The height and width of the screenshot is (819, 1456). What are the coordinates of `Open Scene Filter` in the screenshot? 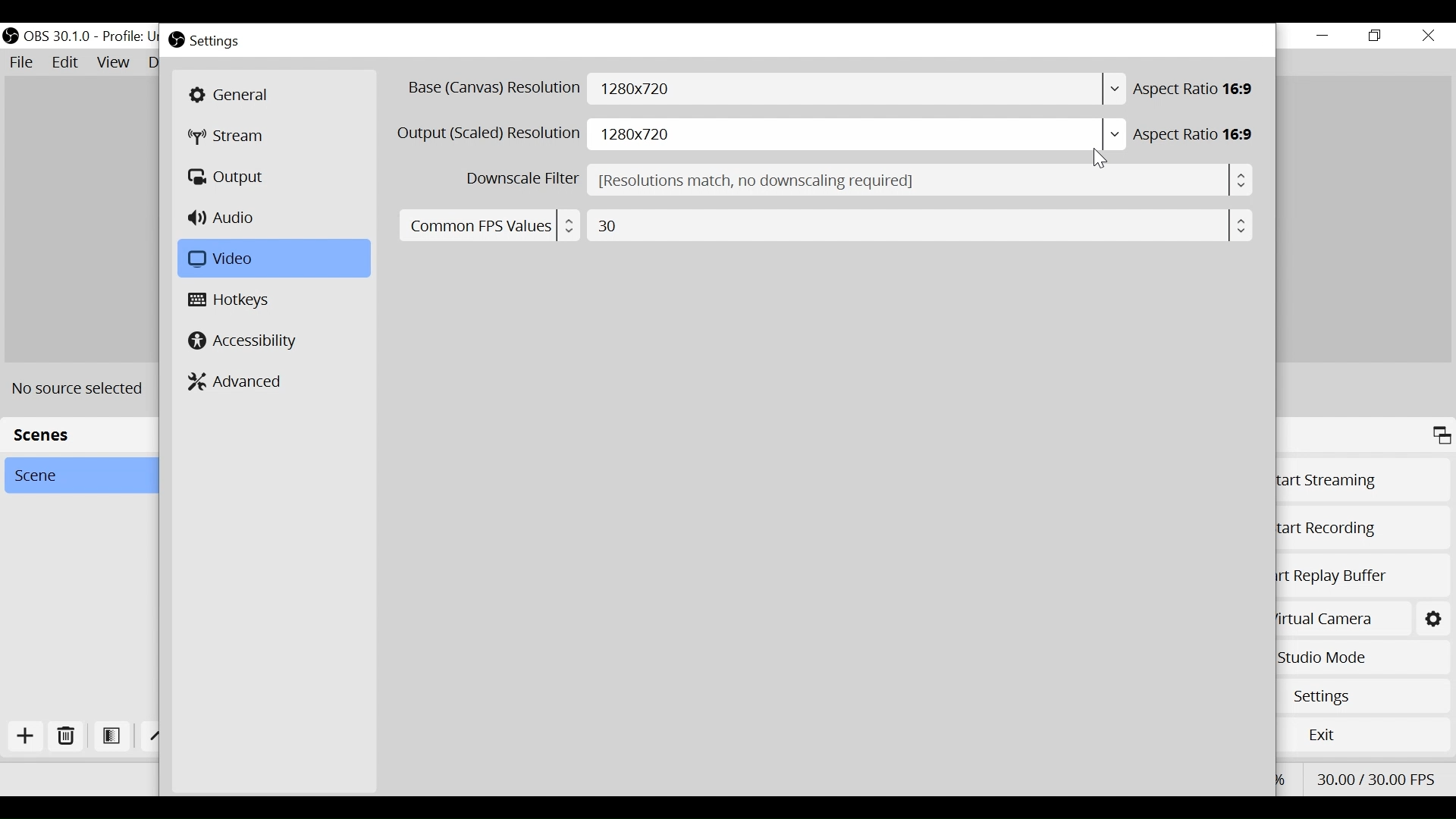 It's located at (111, 737).